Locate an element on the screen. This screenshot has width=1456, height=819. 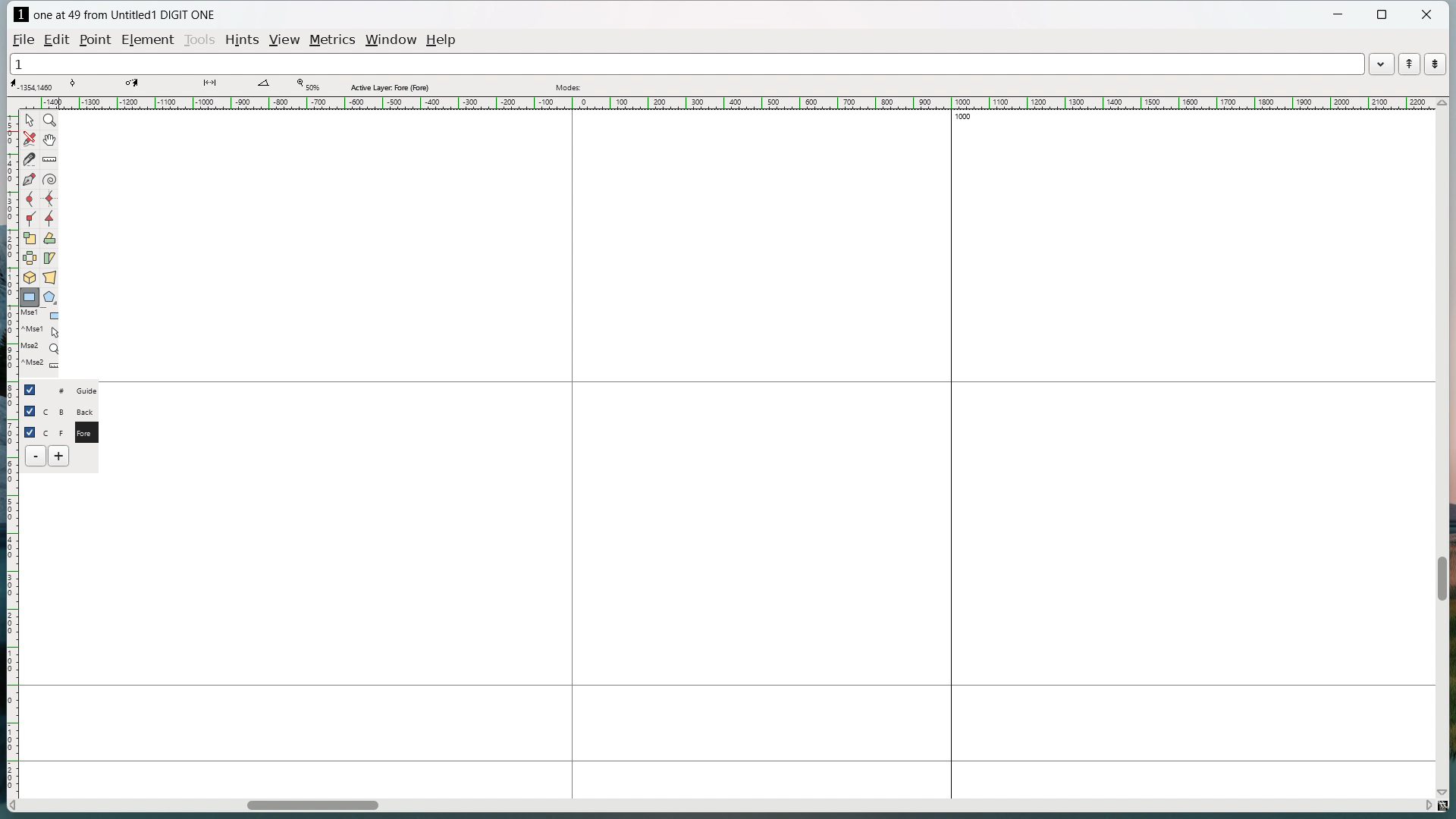
metrics is located at coordinates (334, 41).